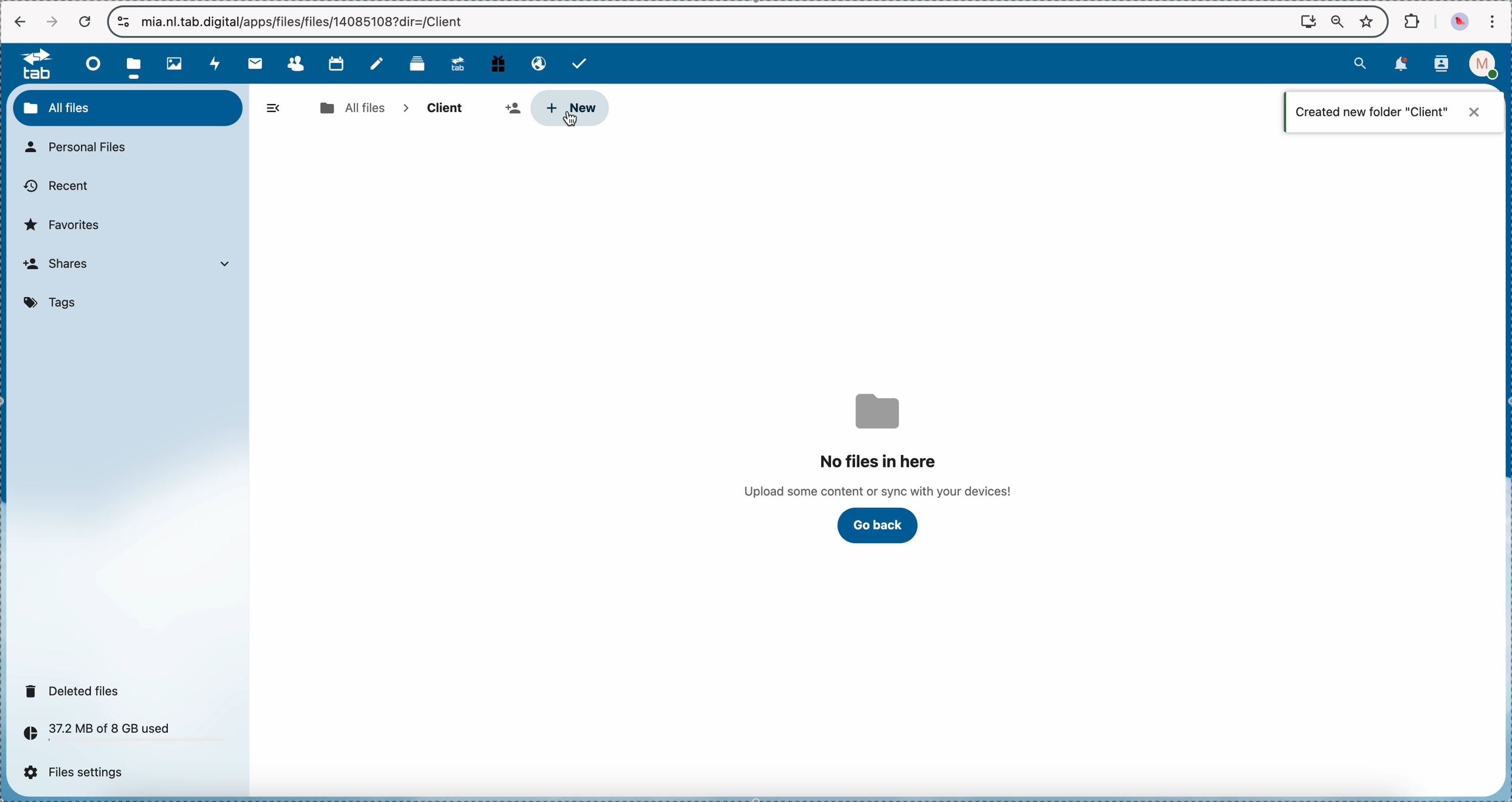 Image resolution: width=1512 pixels, height=802 pixels. Describe the element at coordinates (1308, 21) in the screenshot. I see `screen` at that location.